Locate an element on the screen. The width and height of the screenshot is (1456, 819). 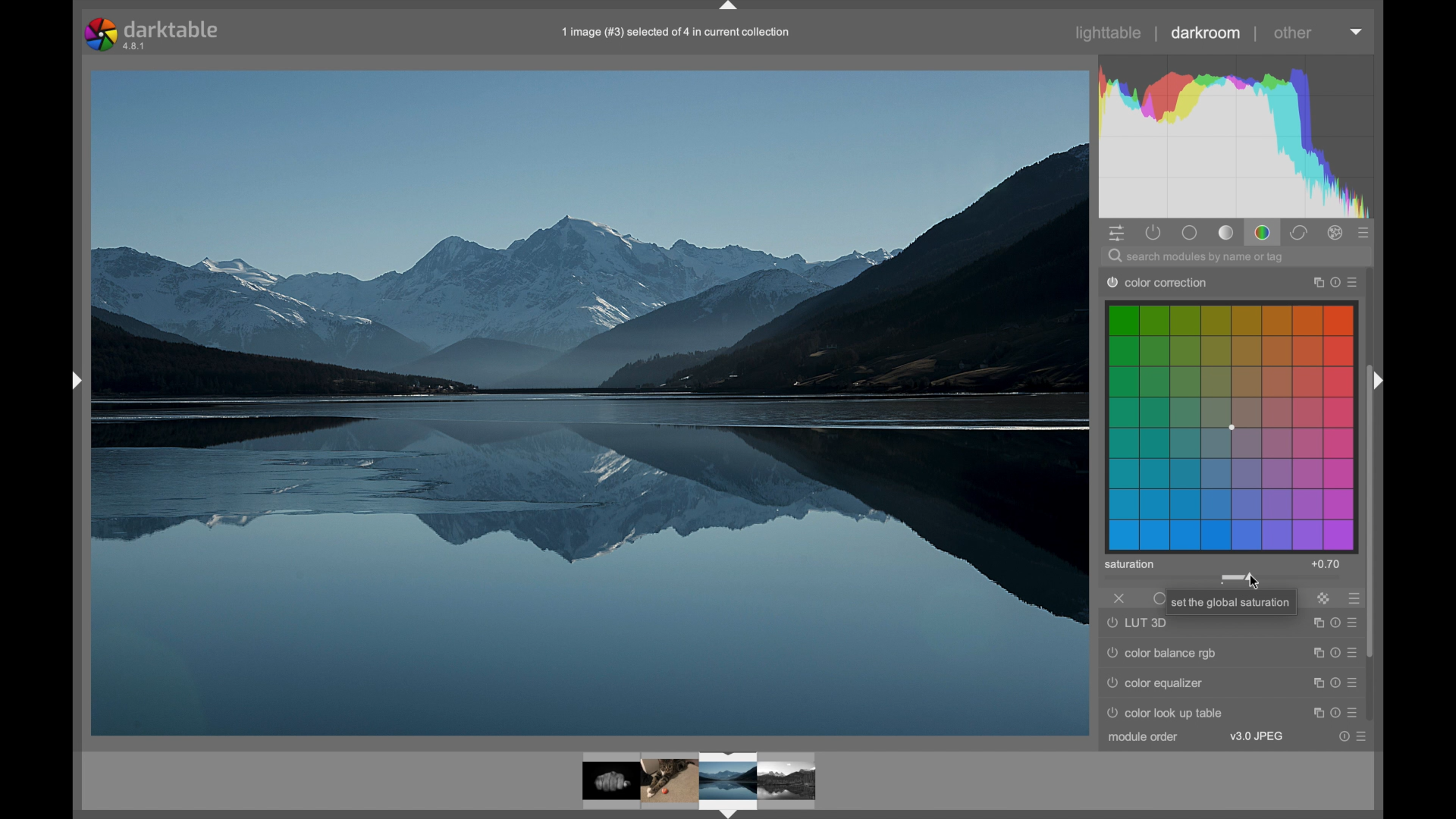
options is located at coordinates (1335, 653).